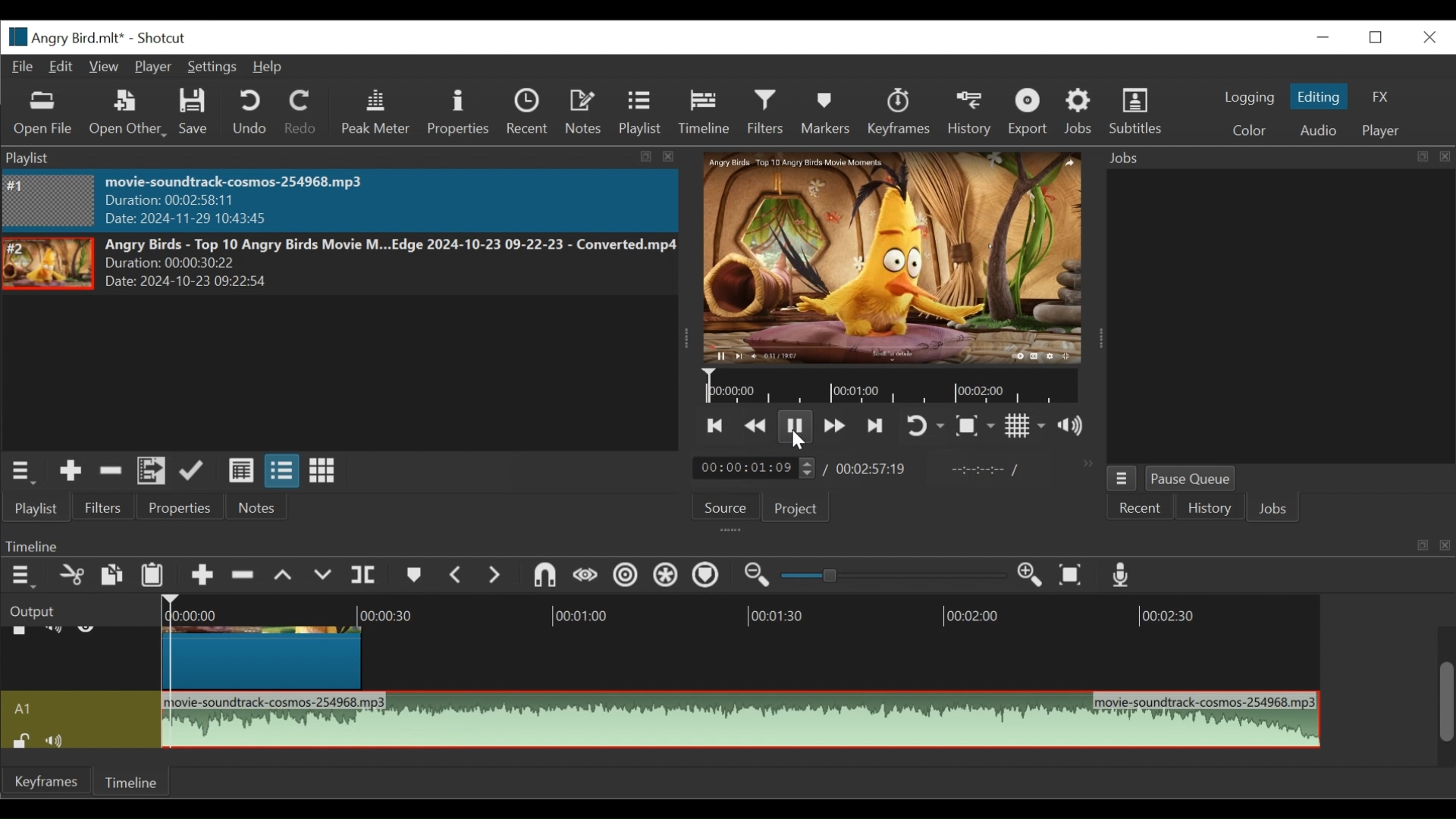  What do you see at coordinates (826, 112) in the screenshot?
I see `Markers` at bounding box center [826, 112].